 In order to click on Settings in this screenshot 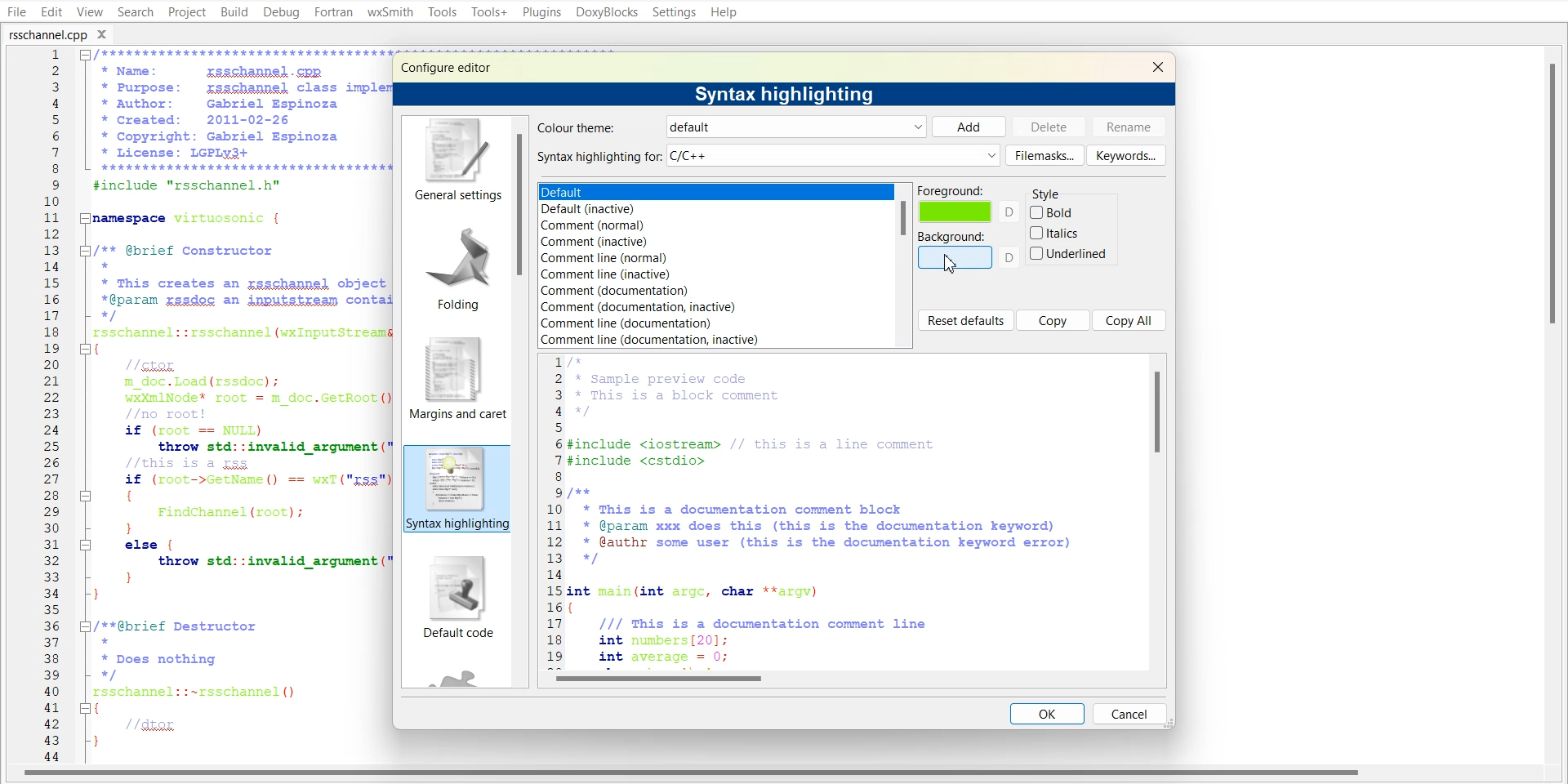, I will do `click(675, 11)`.